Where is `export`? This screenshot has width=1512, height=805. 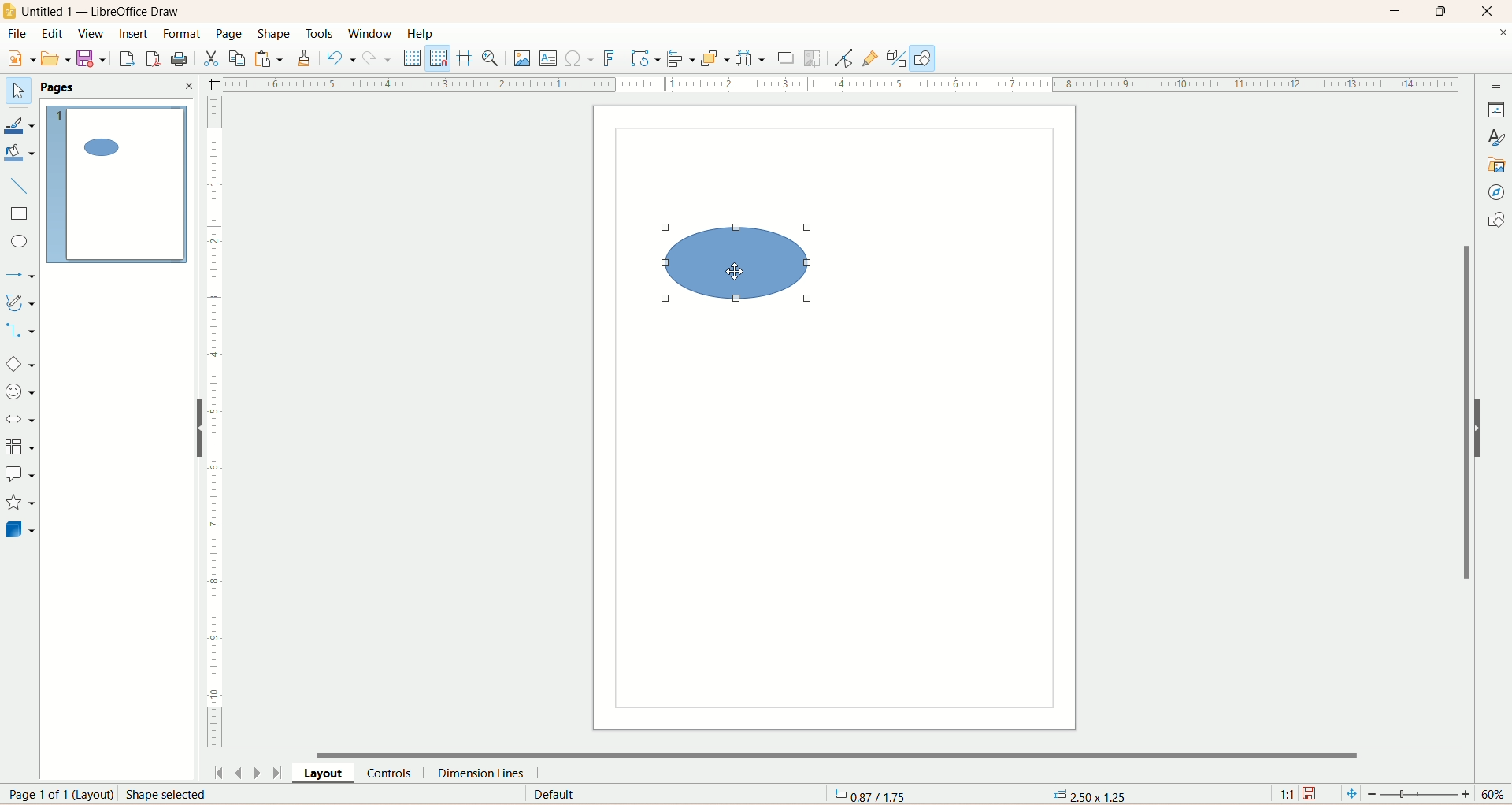
export is located at coordinates (128, 55).